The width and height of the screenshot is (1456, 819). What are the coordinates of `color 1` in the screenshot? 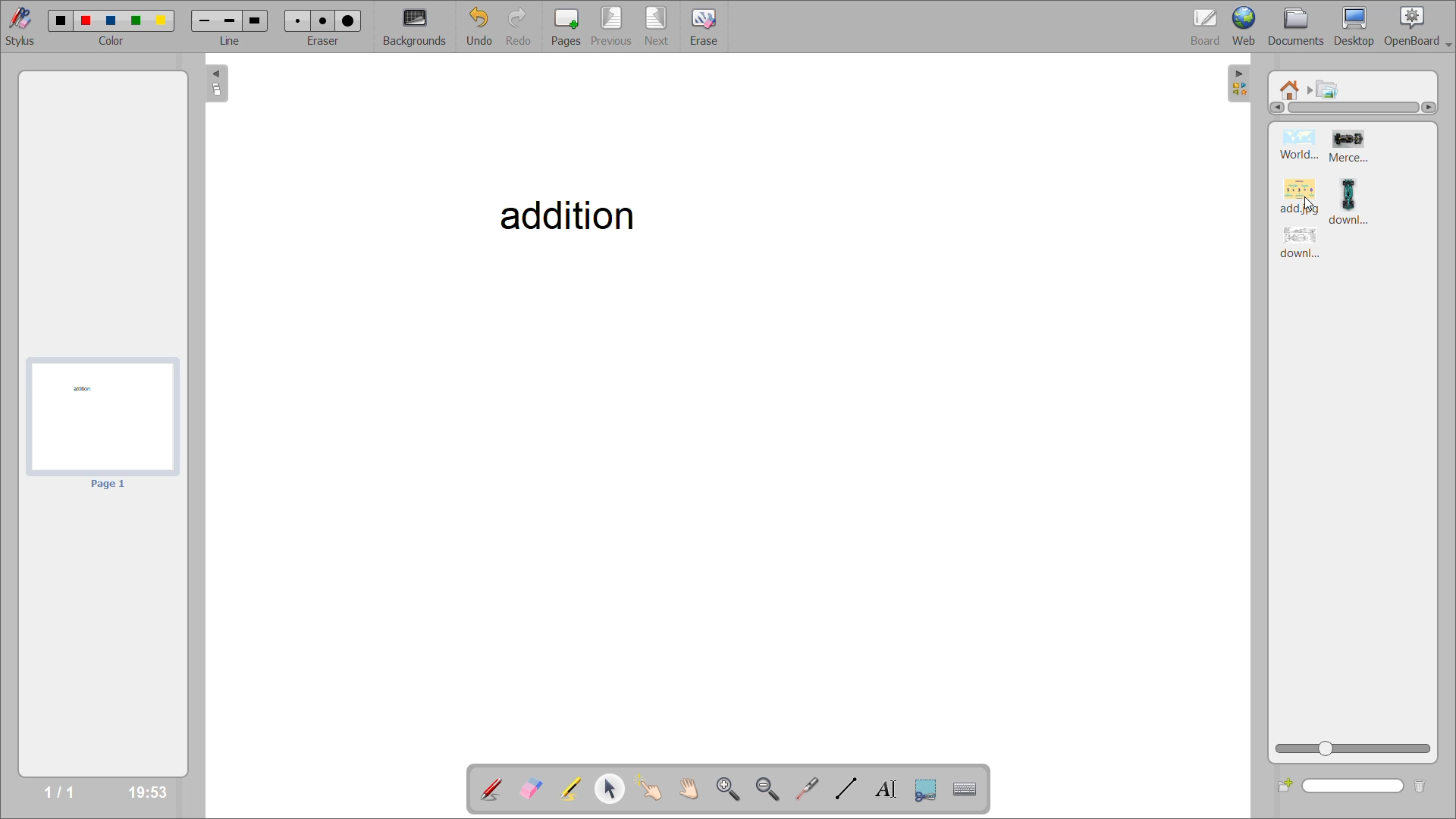 It's located at (63, 21).